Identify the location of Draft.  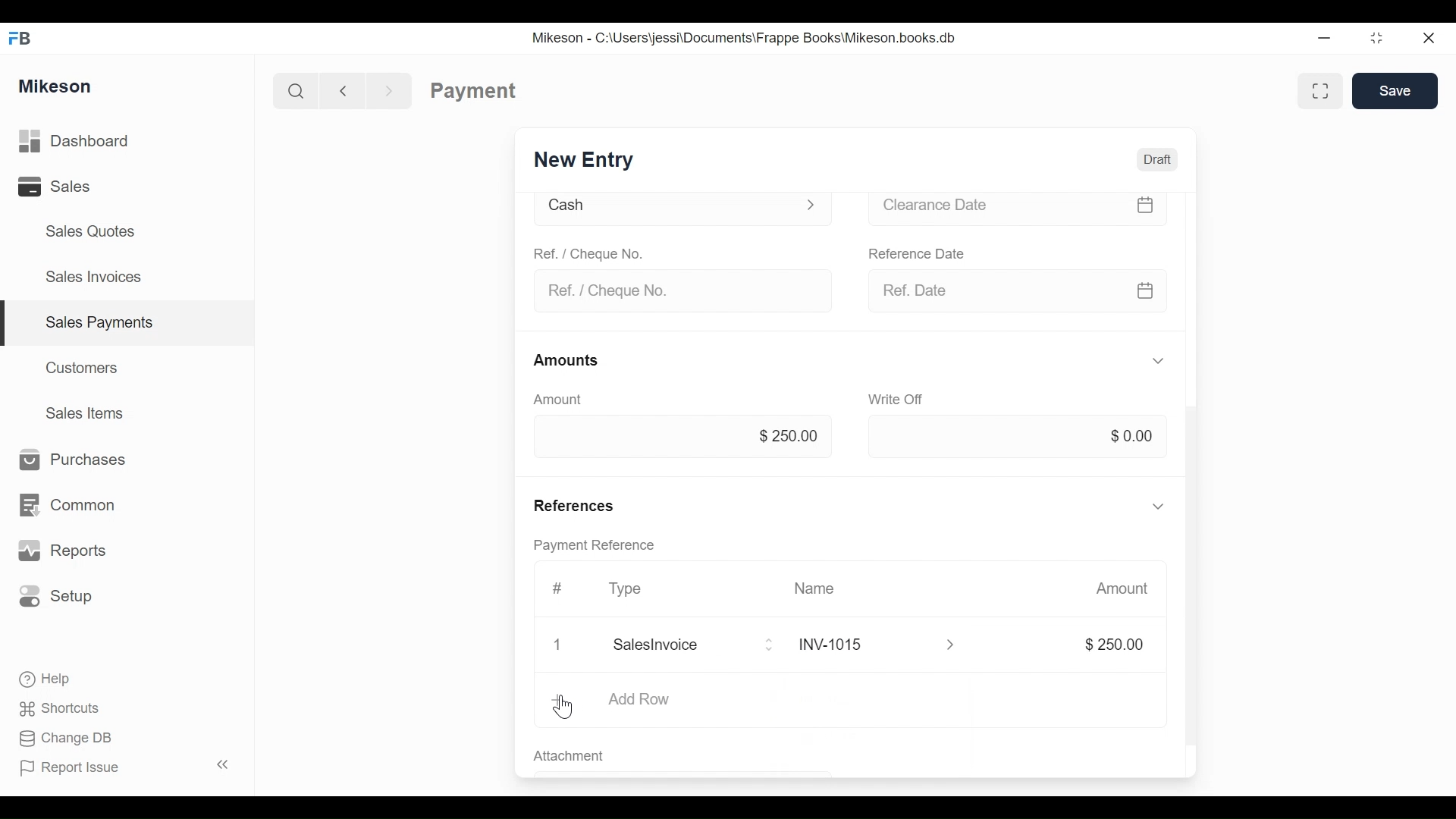
(1159, 159).